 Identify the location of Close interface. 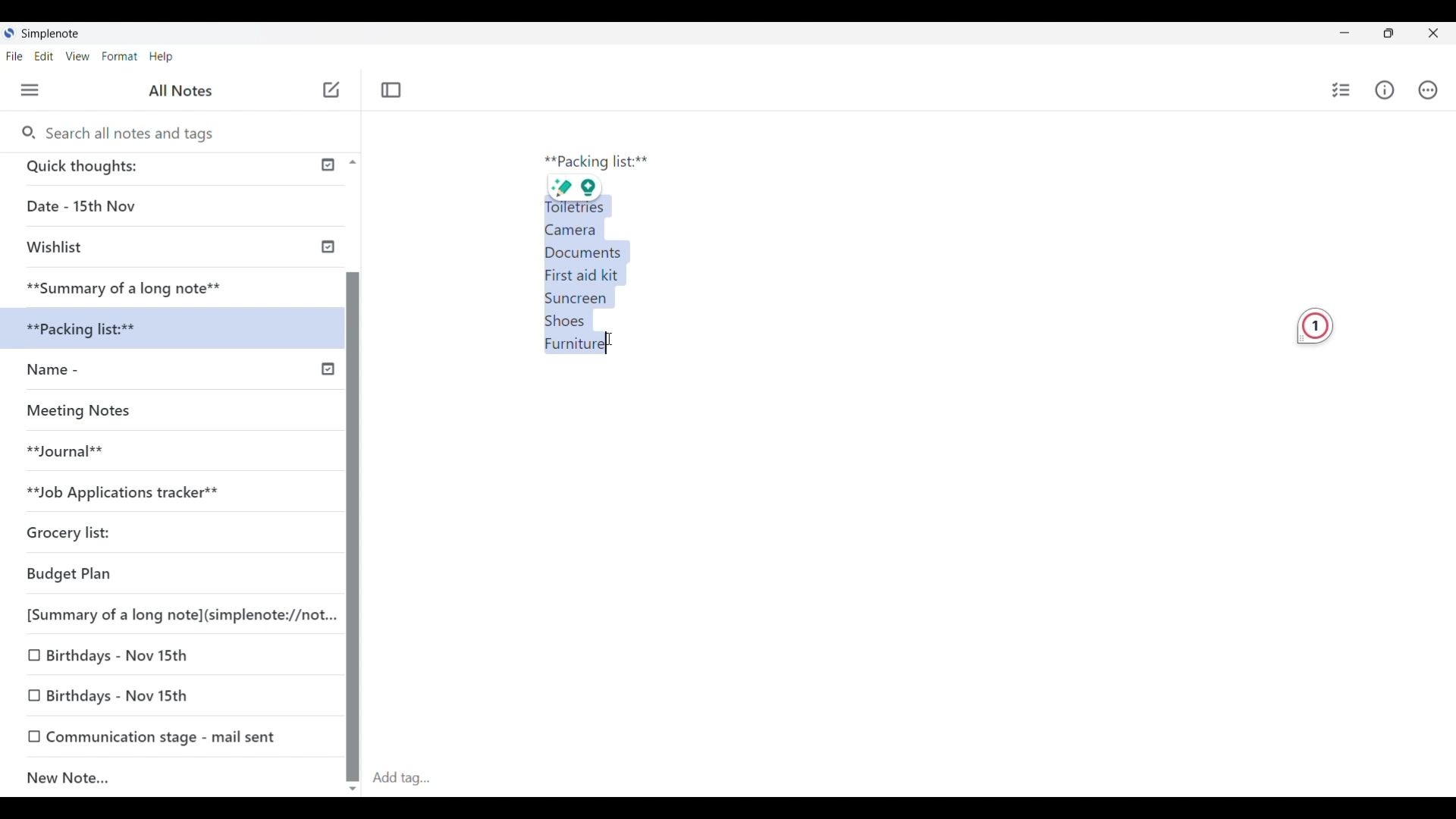
(1433, 33).